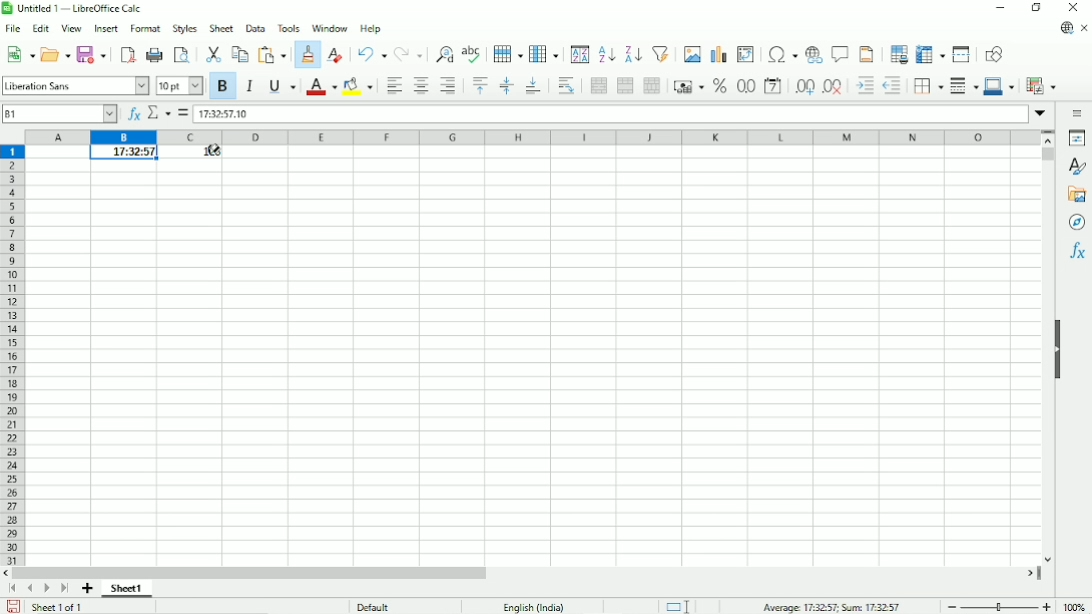 This screenshot has width=1092, height=614. I want to click on Average: 17:3257: Sum 17.3257, so click(832, 606).